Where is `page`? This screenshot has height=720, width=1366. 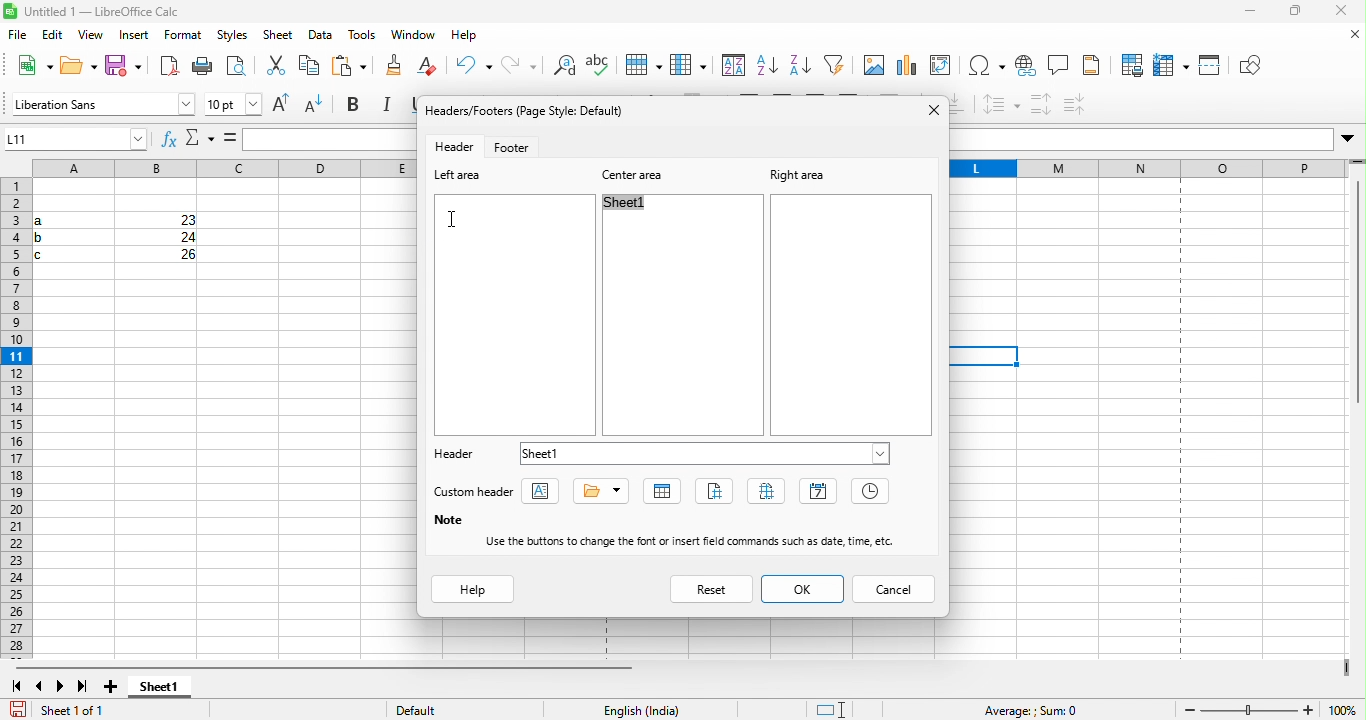
page is located at coordinates (714, 487).